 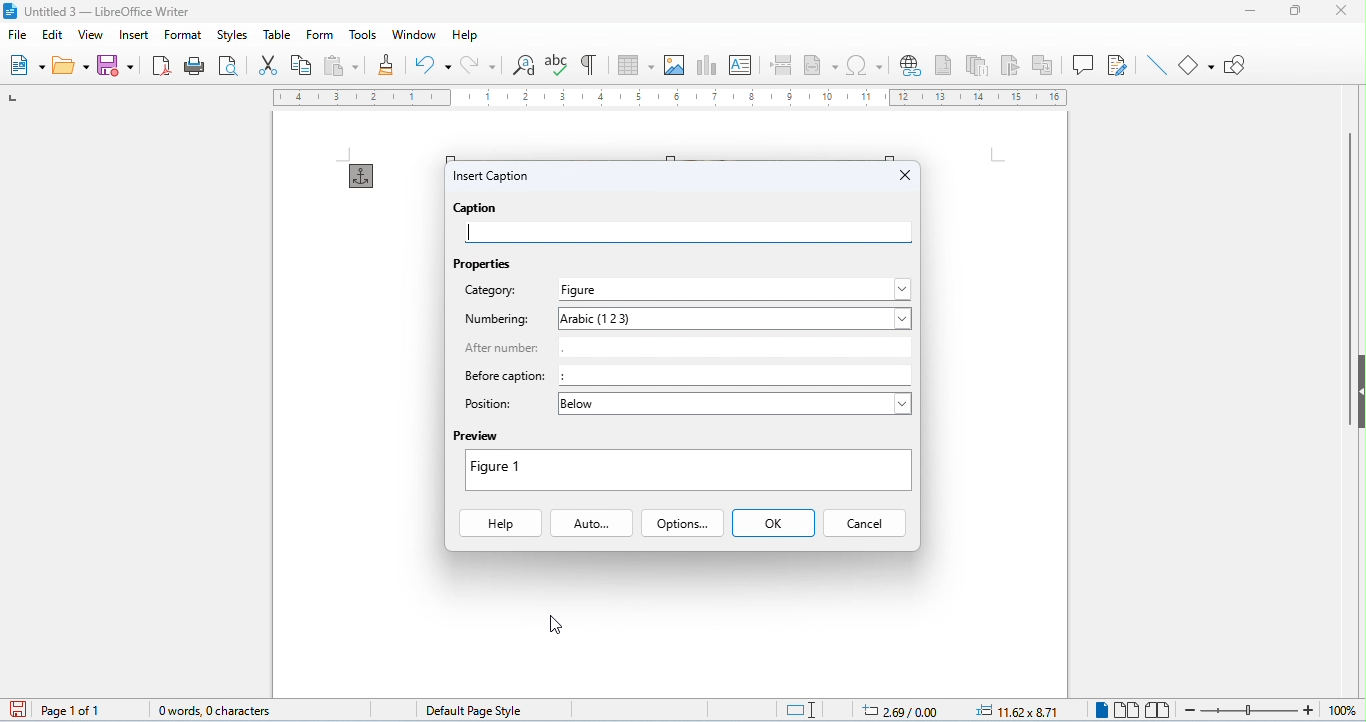 I want to click on cursor position, so click(x=891, y=709).